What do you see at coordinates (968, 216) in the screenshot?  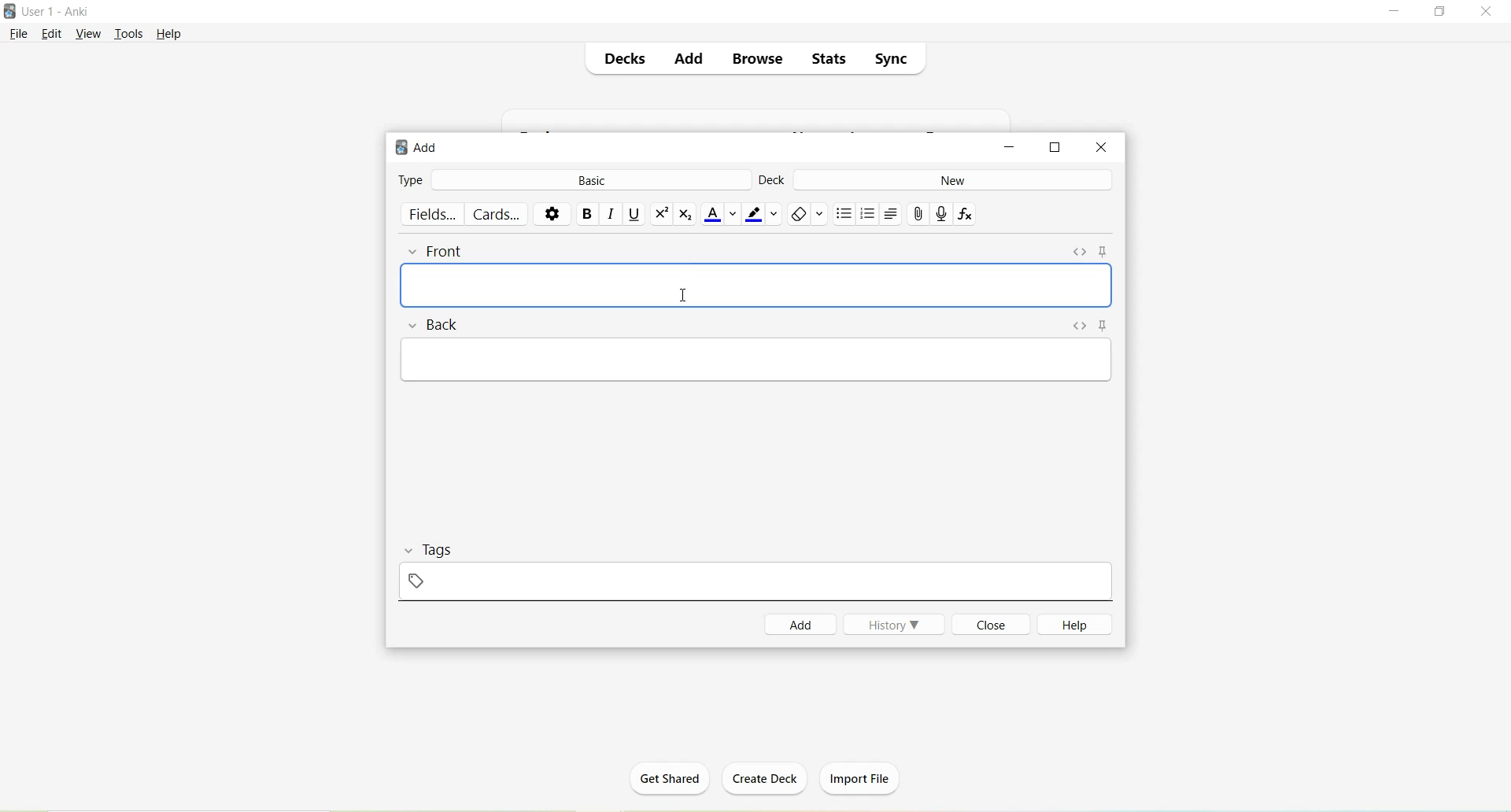 I see `Equations` at bounding box center [968, 216].